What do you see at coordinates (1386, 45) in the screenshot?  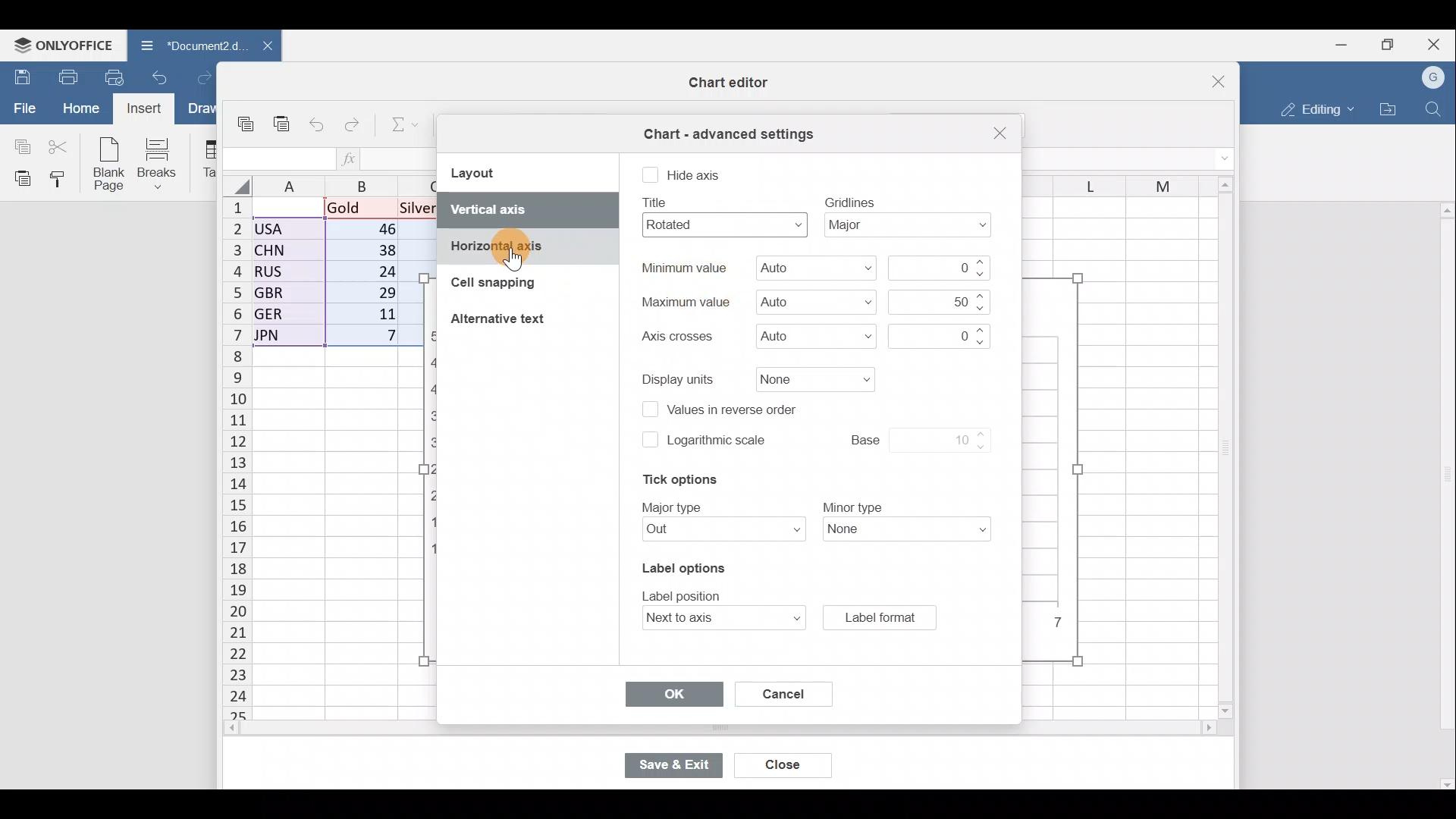 I see `Maximize` at bounding box center [1386, 45].